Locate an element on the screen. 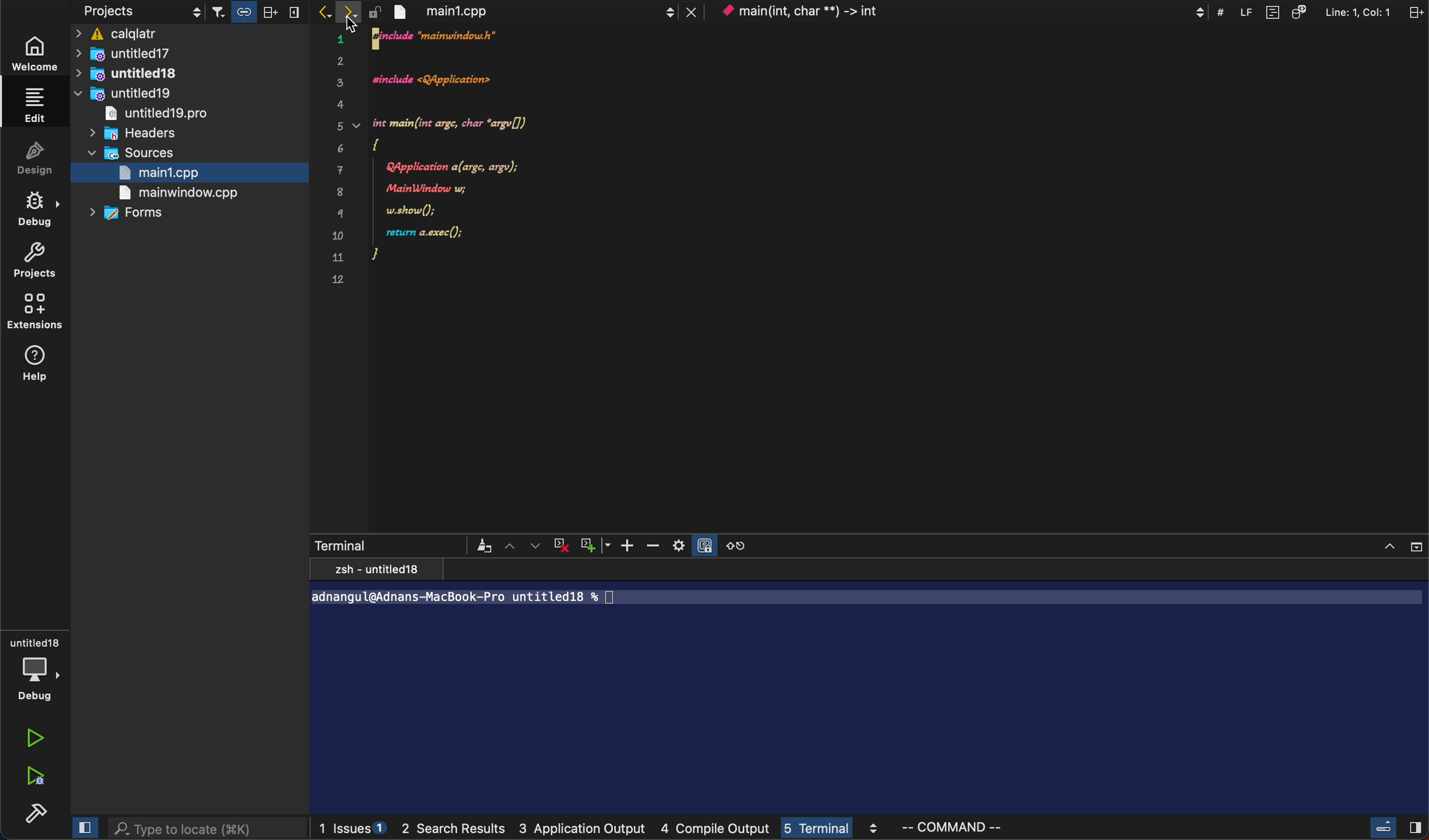 This screenshot has height=840, width=1429. computer output is located at coordinates (715, 830).